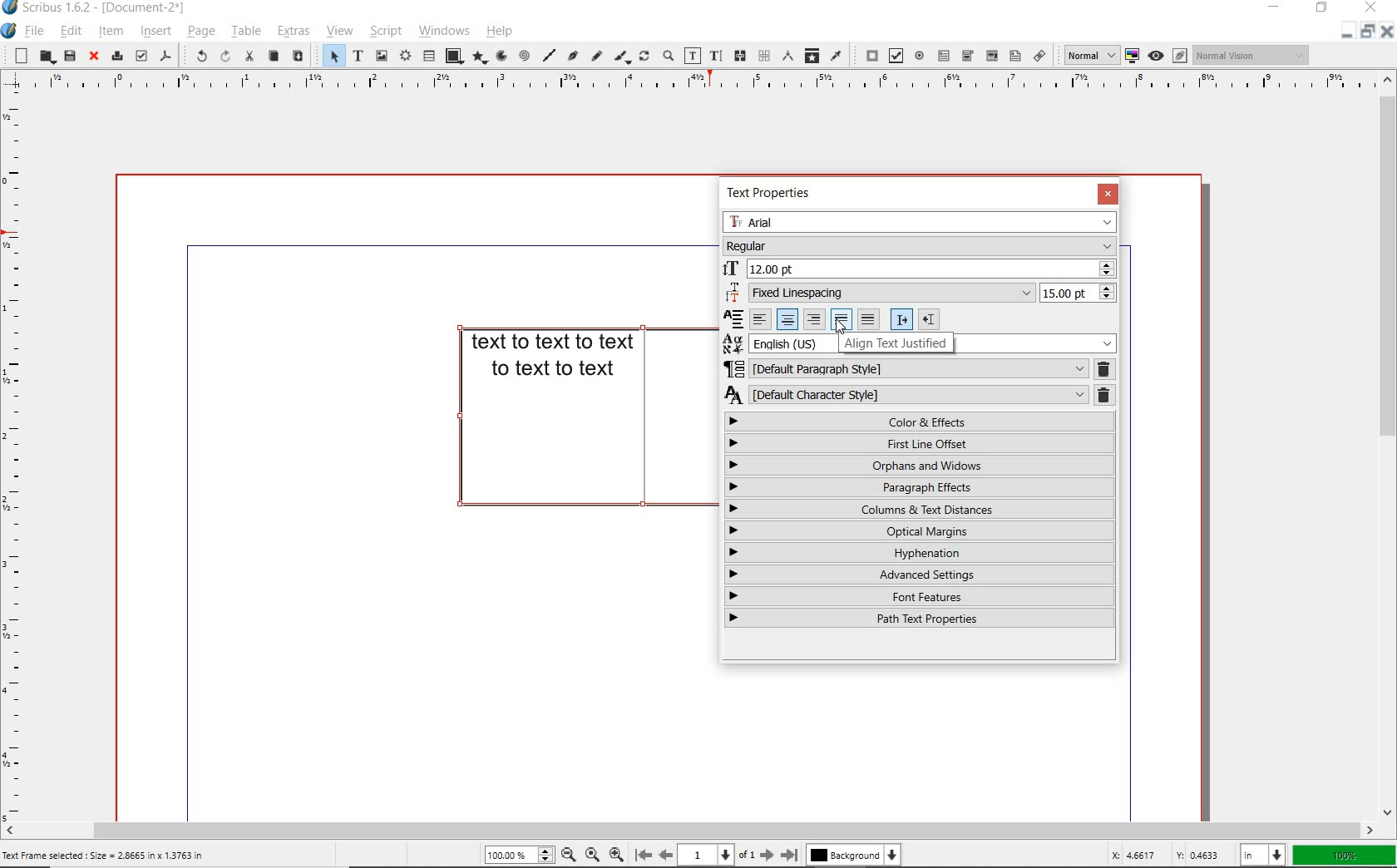 The width and height of the screenshot is (1397, 868). What do you see at coordinates (707, 854) in the screenshot?
I see `page ` at bounding box center [707, 854].